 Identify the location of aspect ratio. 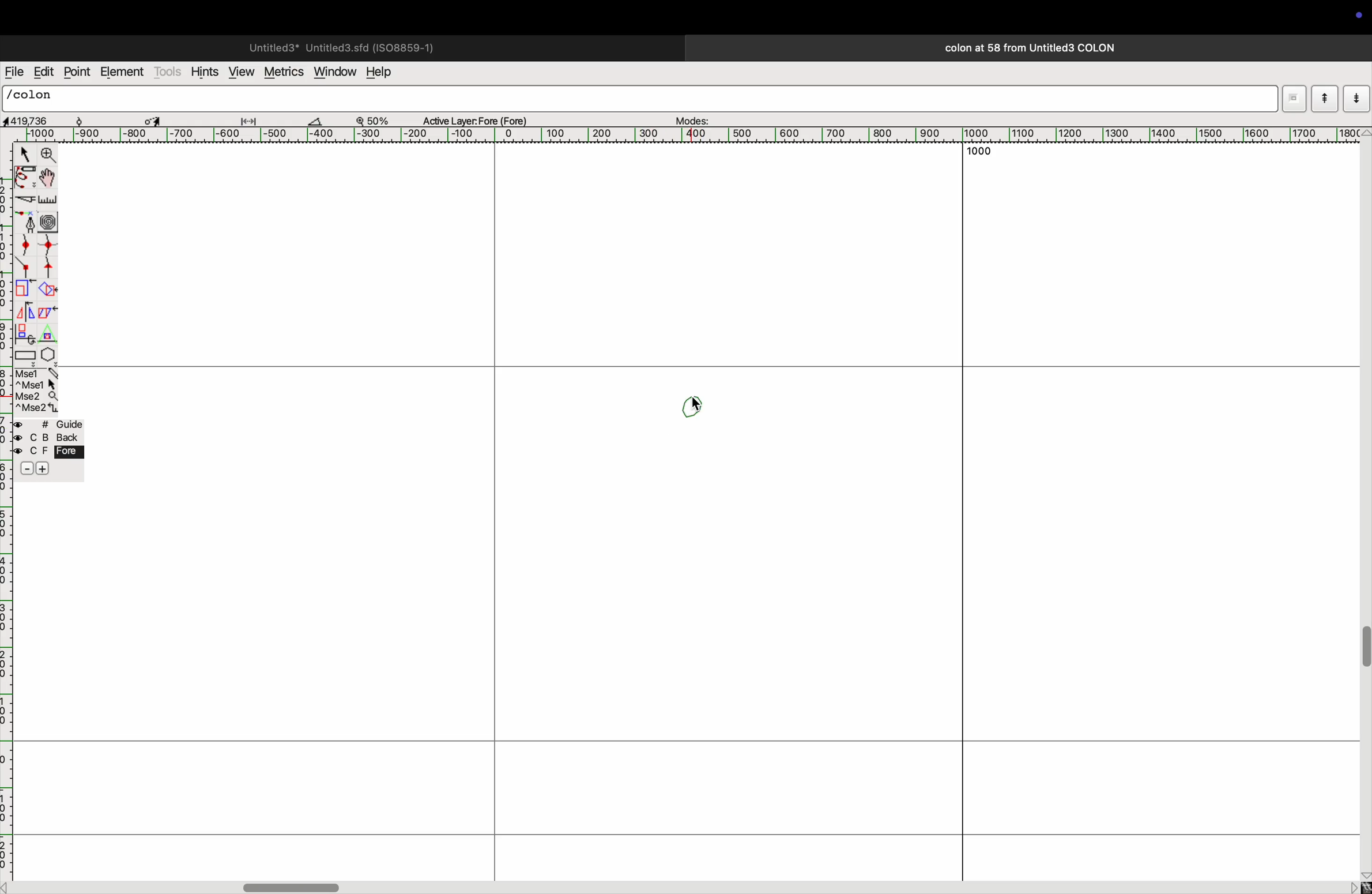
(31, 121).